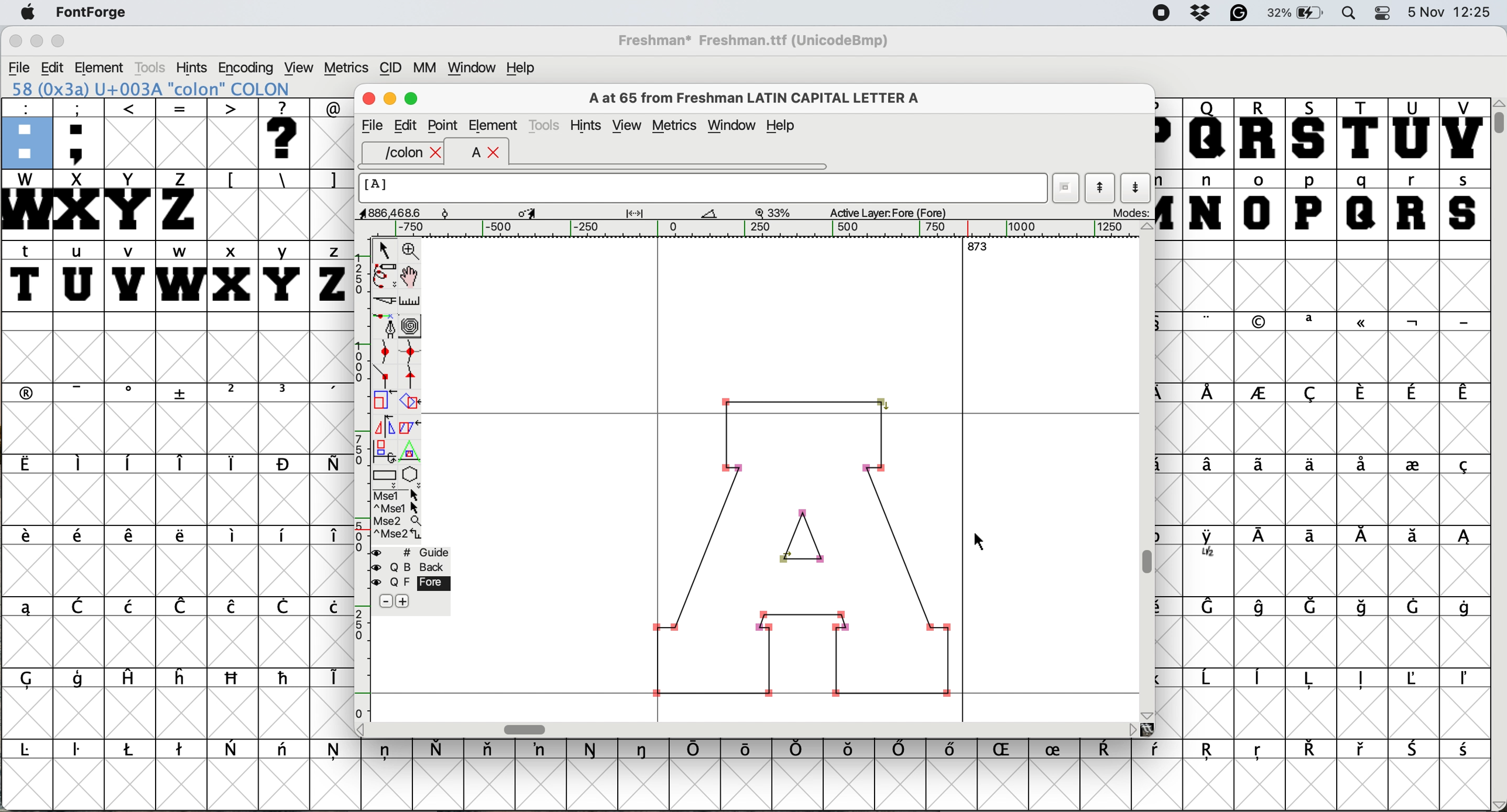 The image size is (1507, 812). What do you see at coordinates (1412, 536) in the screenshot?
I see `symbol` at bounding box center [1412, 536].